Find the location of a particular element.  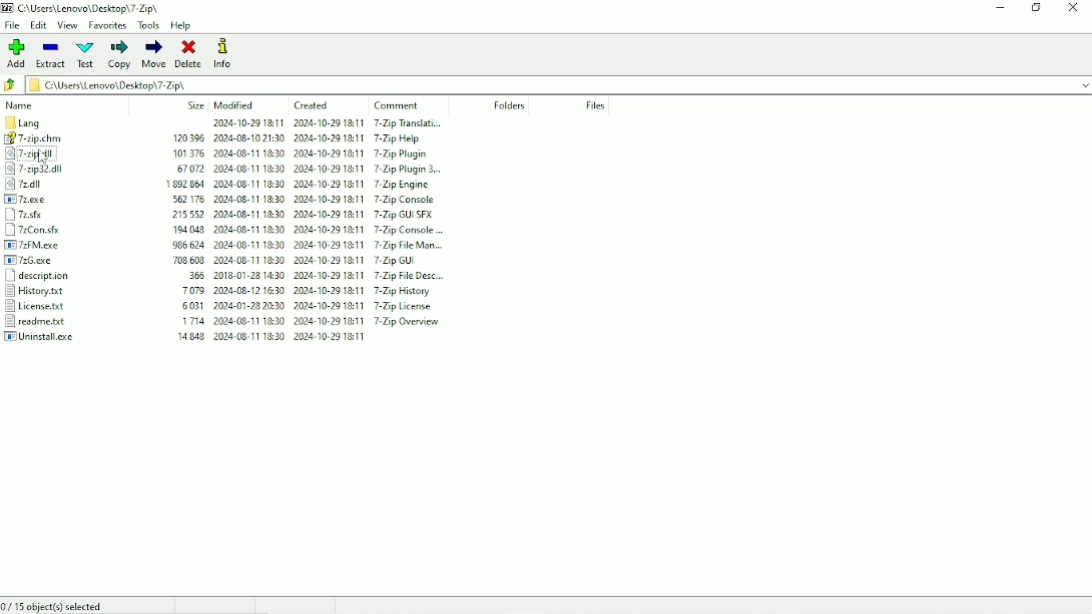

License.txt is located at coordinates (220, 307).